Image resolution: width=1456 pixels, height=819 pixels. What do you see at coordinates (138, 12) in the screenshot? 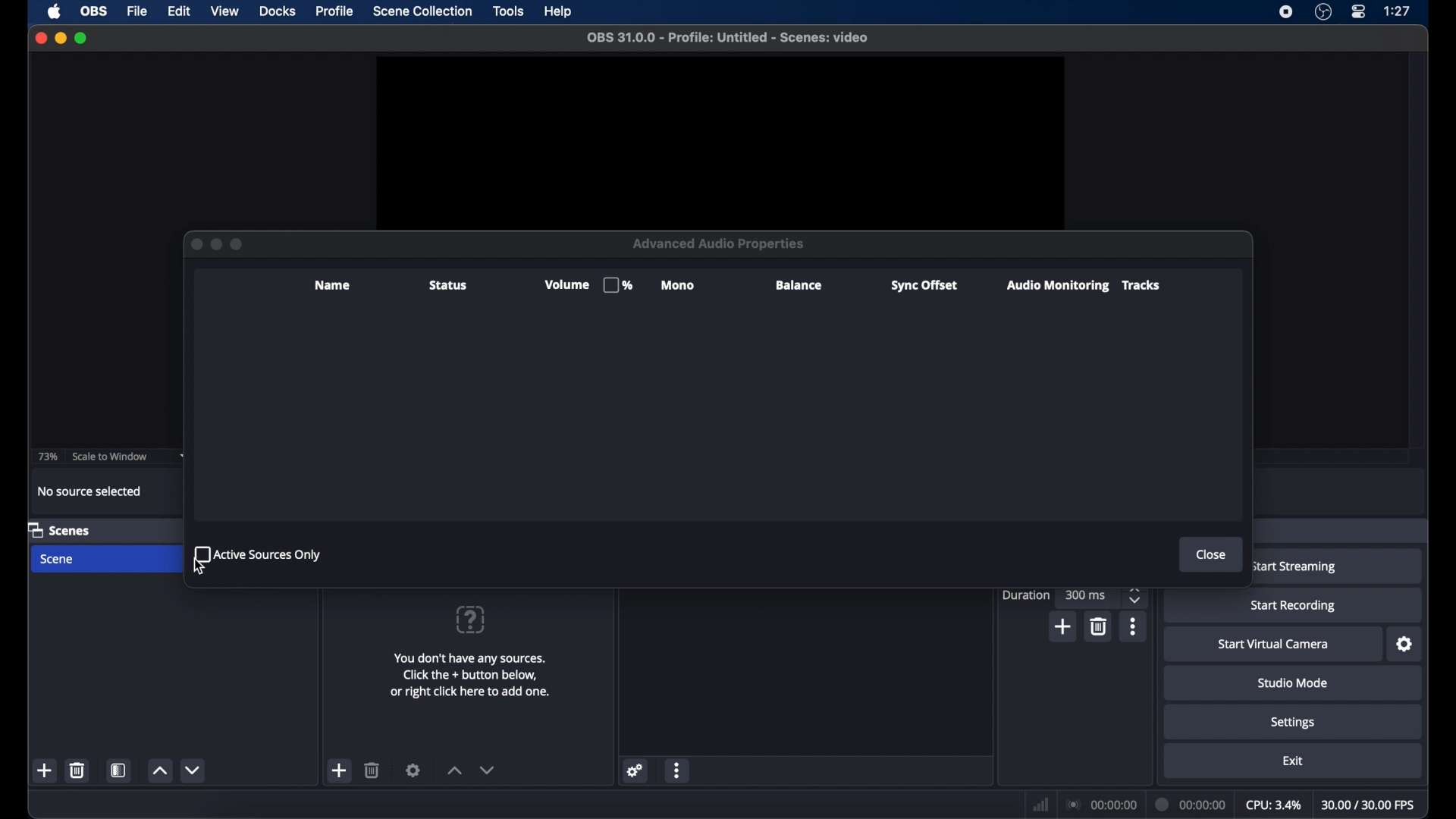
I see `file` at bounding box center [138, 12].